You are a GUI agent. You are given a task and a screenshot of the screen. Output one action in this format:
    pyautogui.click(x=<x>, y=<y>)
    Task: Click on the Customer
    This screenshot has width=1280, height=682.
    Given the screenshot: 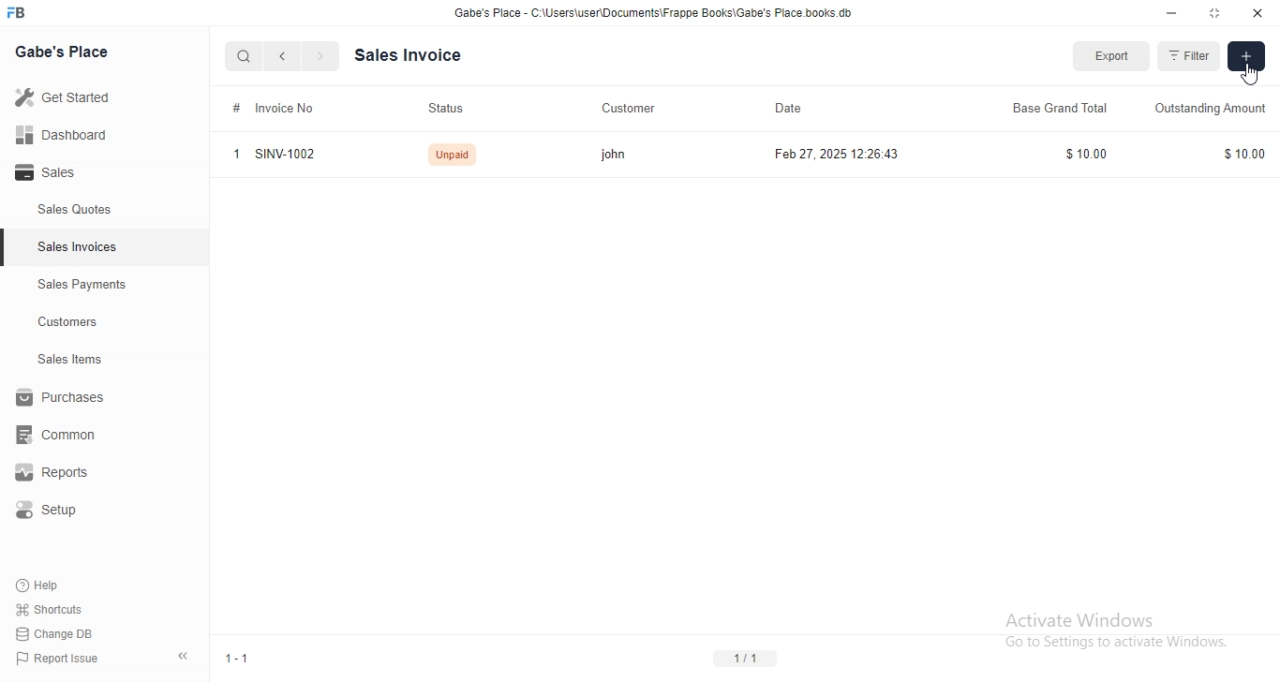 What is the action you would take?
    pyautogui.click(x=628, y=107)
    